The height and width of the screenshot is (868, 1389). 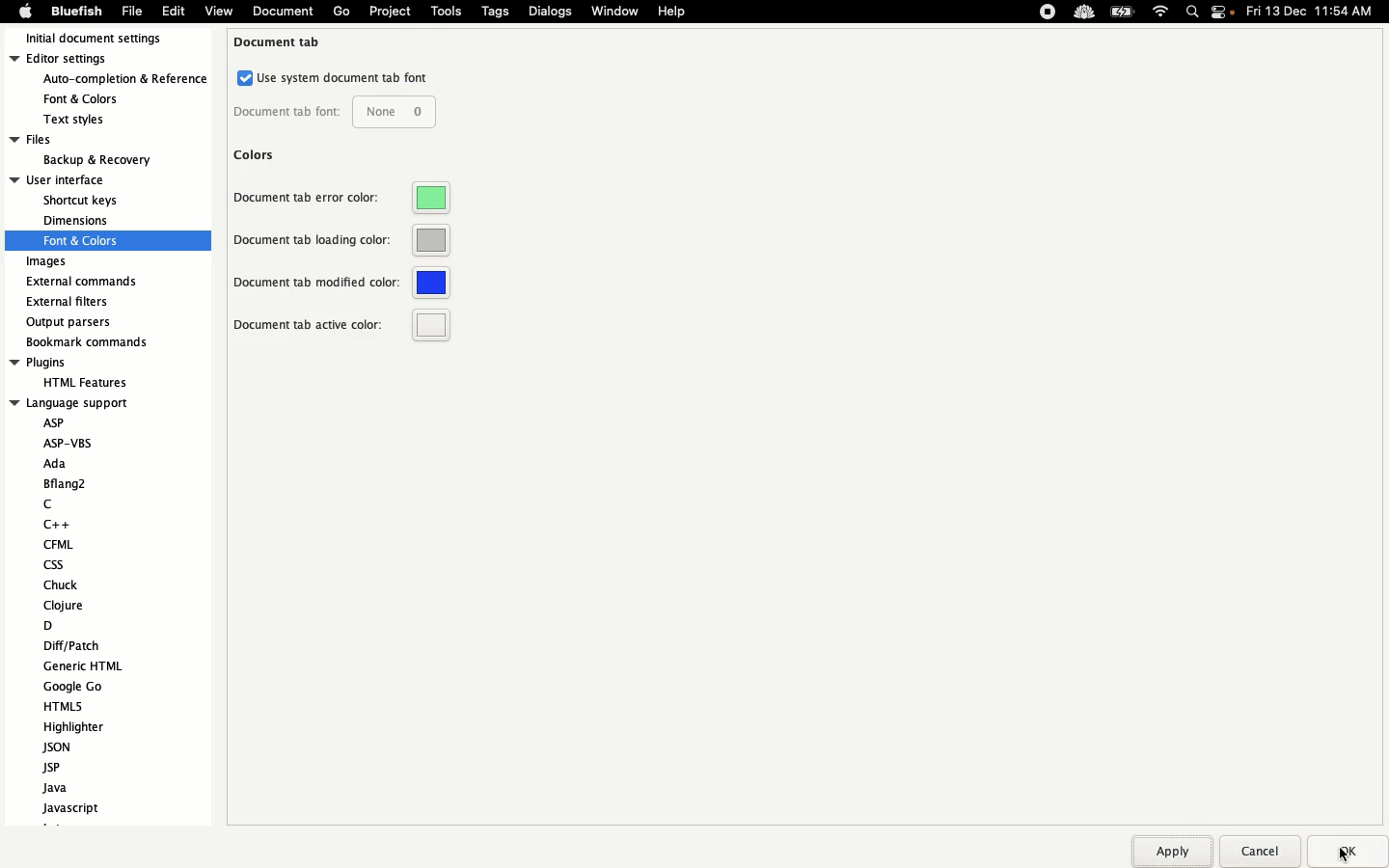 I want to click on document, so click(x=281, y=13).